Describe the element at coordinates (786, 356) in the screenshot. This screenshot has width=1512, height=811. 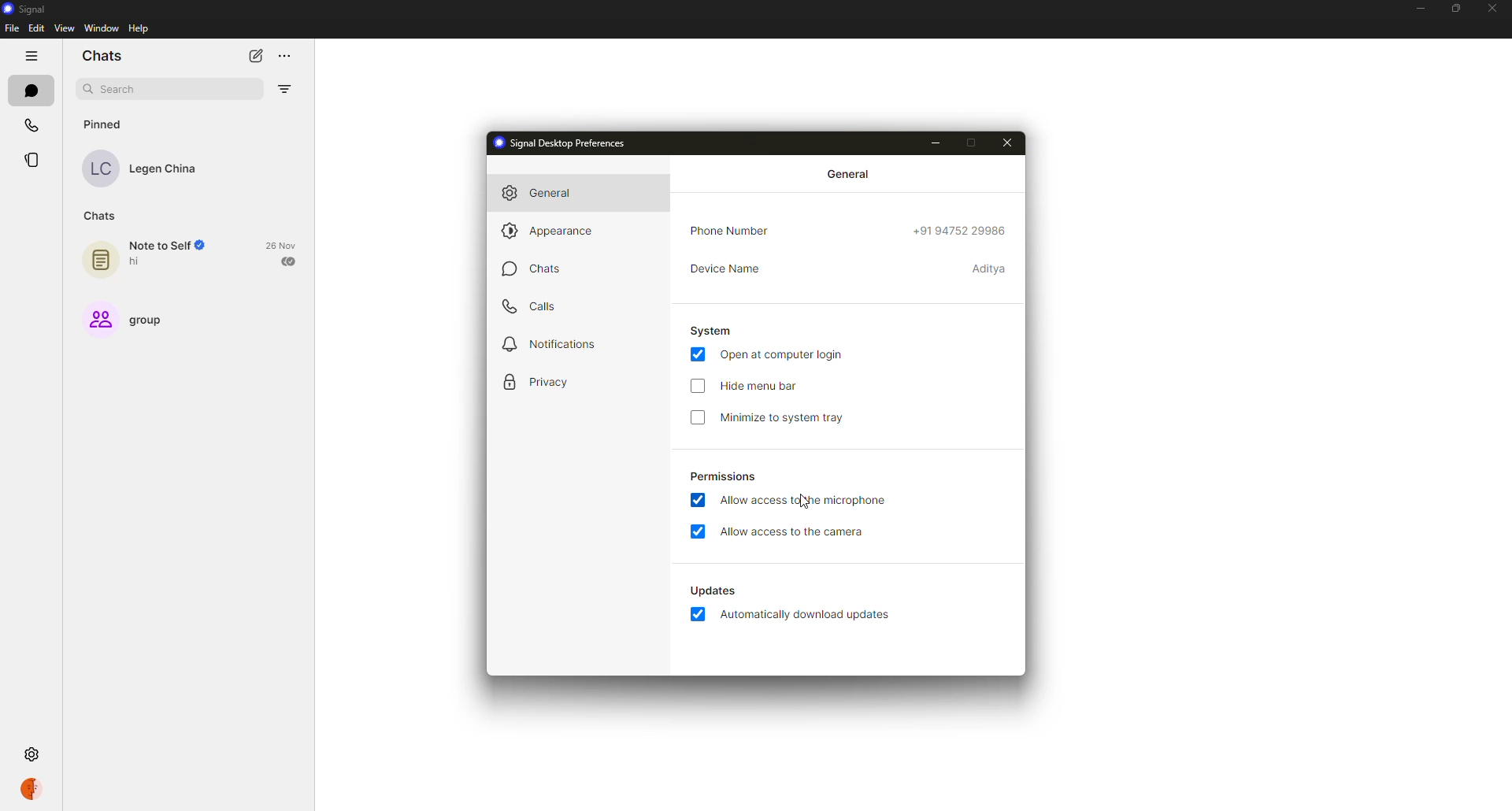
I see `open at login` at that location.